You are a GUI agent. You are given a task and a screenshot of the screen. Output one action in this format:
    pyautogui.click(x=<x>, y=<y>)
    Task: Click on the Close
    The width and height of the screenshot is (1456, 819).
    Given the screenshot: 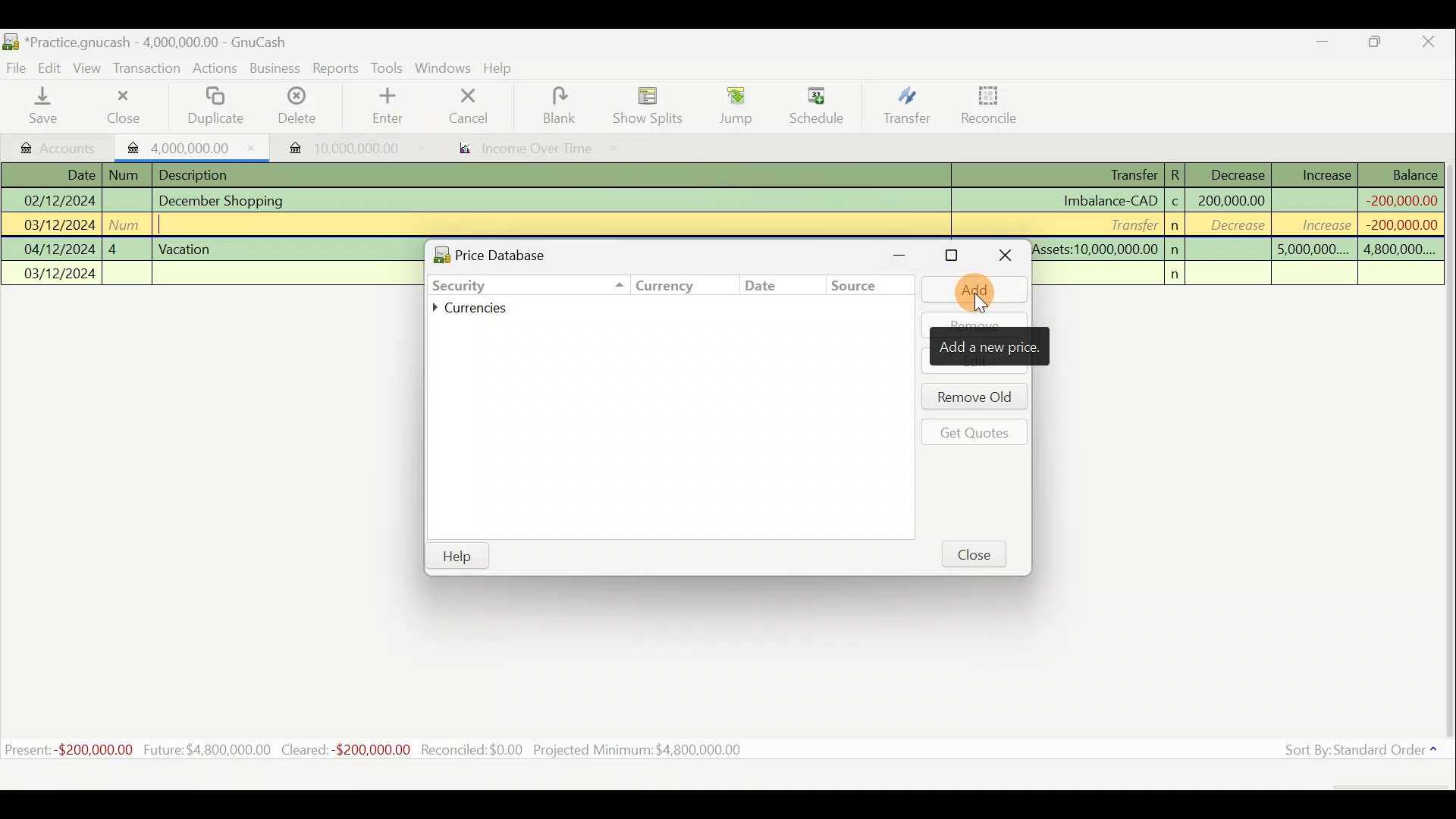 What is the action you would take?
    pyautogui.click(x=121, y=106)
    